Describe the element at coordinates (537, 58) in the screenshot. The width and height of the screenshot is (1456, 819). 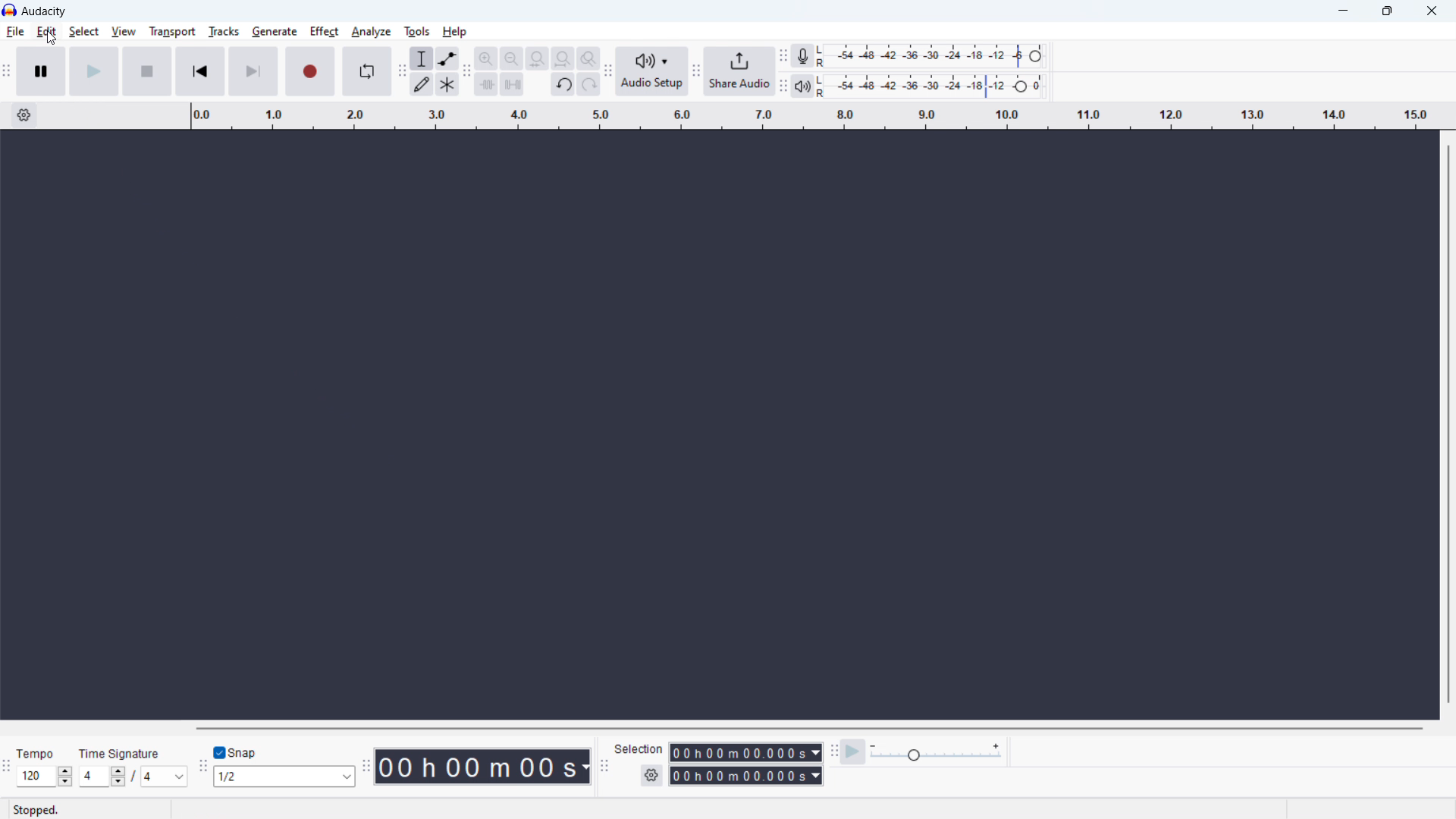
I see `fit selection to width` at that location.